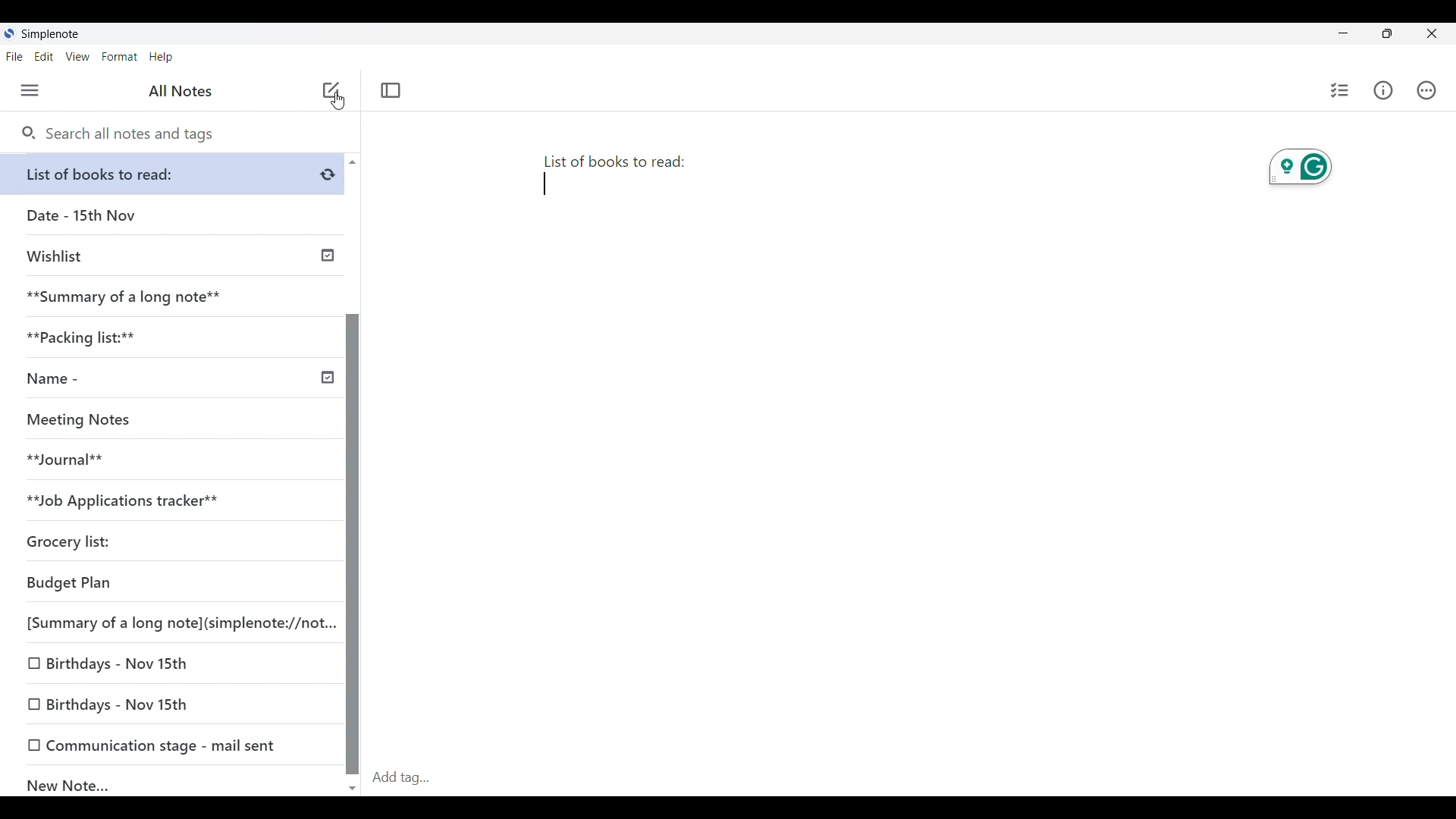 This screenshot has width=1456, height=819. What do you see at coordinates (337, 105) in the screenshot?
I see `Cursor` at bounding box center [337, 105].